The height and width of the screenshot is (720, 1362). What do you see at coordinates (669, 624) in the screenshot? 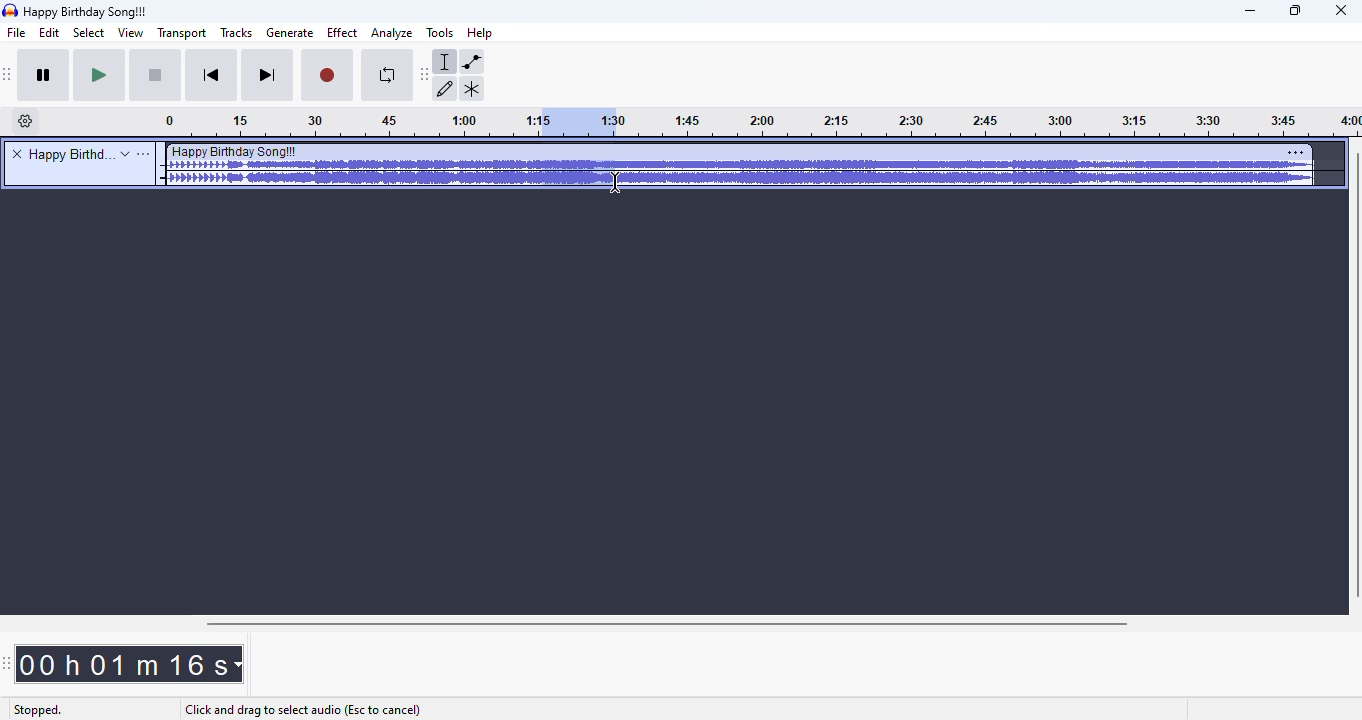
I see `horizontal scroll bar` at bounding box center [669, 624].